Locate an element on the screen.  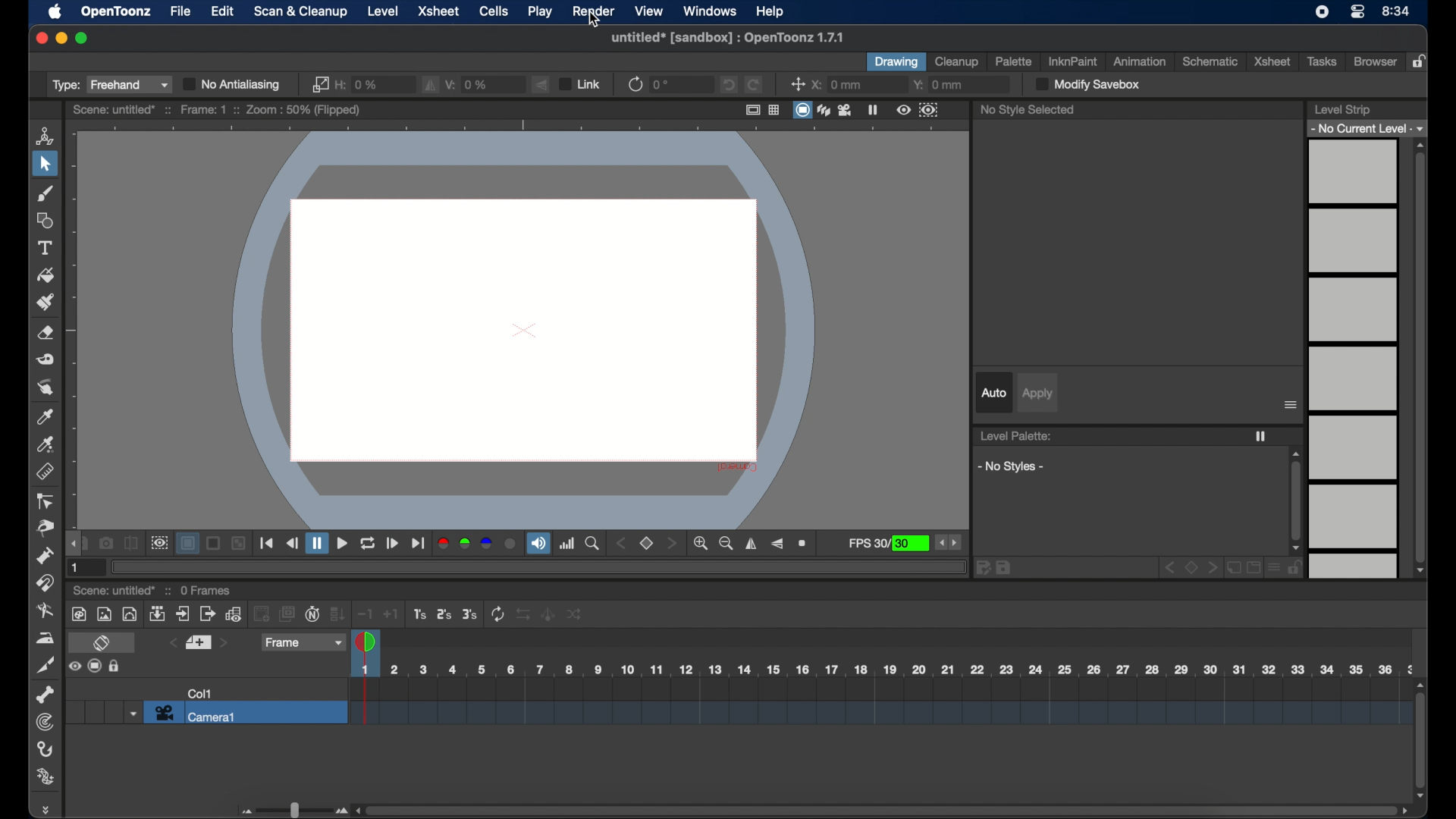
 is located at coordinates (262, 613).